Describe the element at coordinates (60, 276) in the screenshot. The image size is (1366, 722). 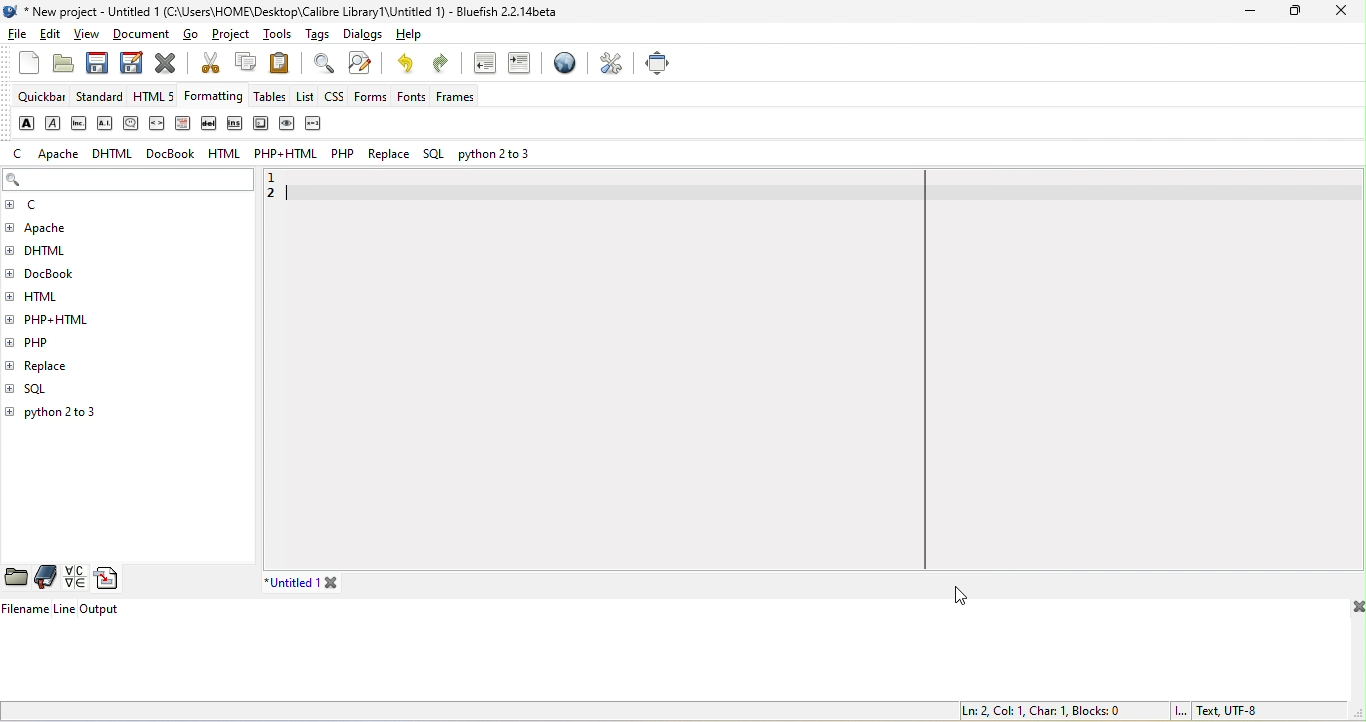
I see `docbook` at that location.